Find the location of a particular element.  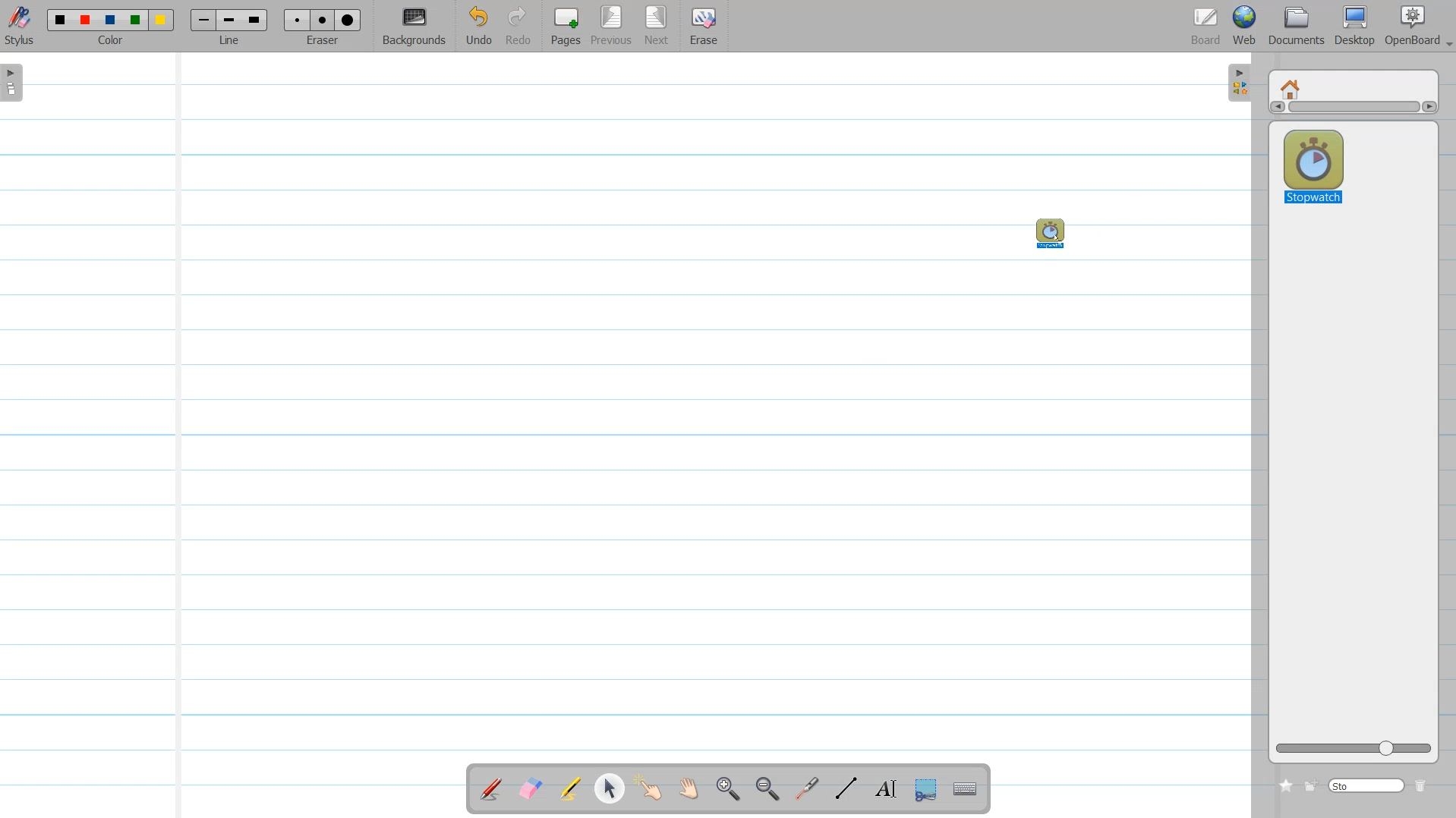

Create new folder is located at coordinates (1311, 786).